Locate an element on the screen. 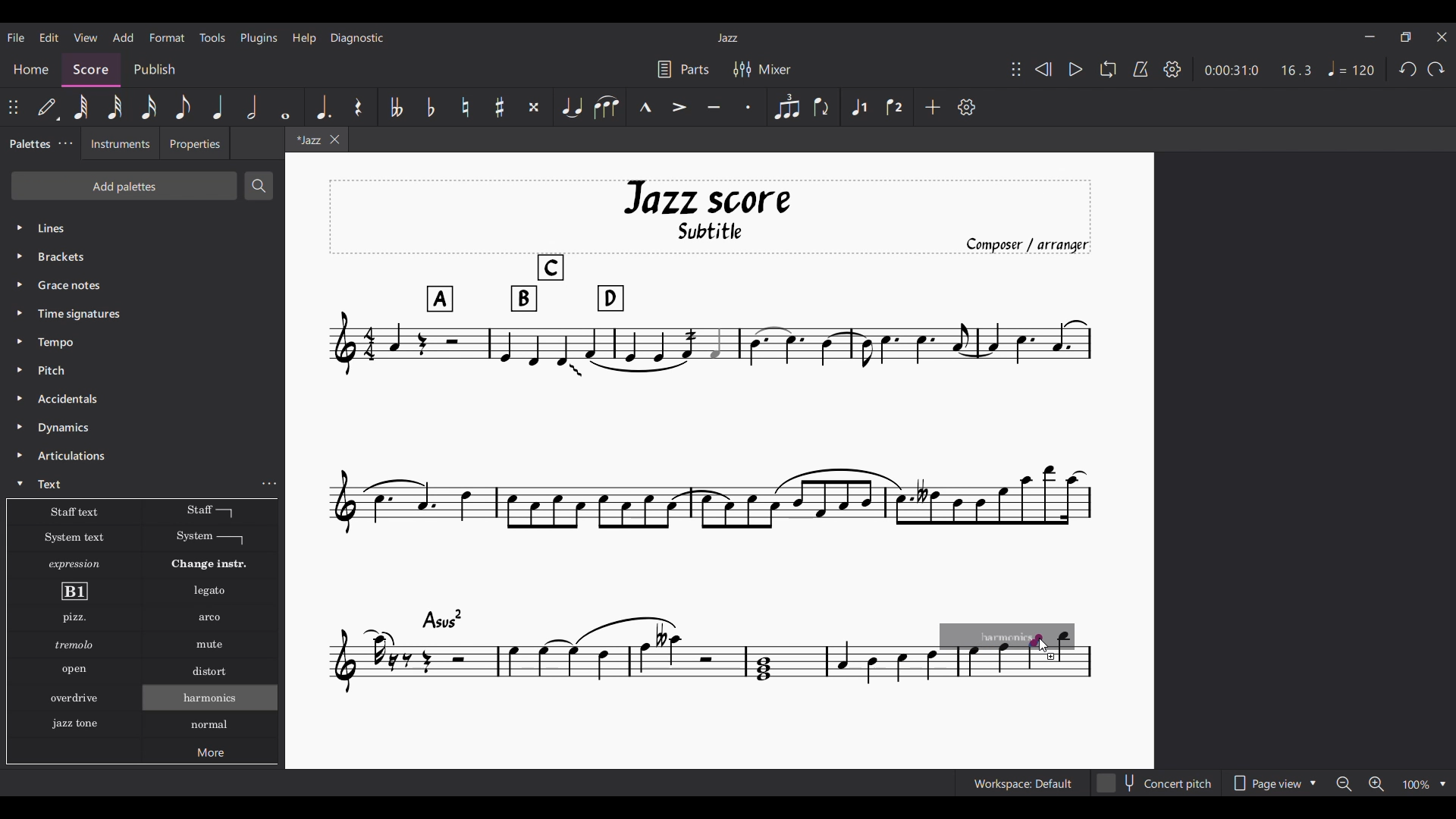  Help menu is located at coordinates (304, 39).